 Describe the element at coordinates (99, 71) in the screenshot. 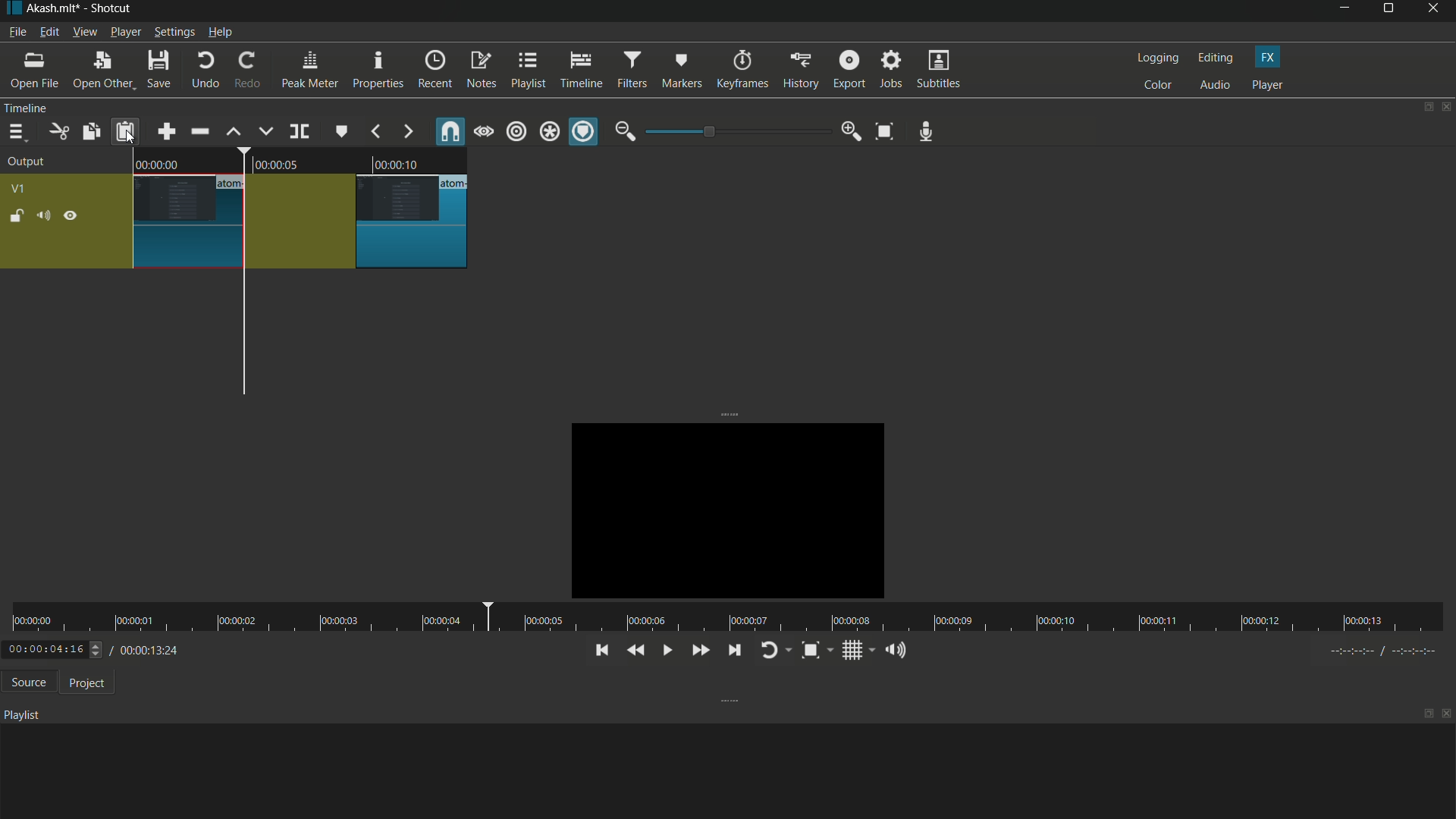

I see `open other` at that location.